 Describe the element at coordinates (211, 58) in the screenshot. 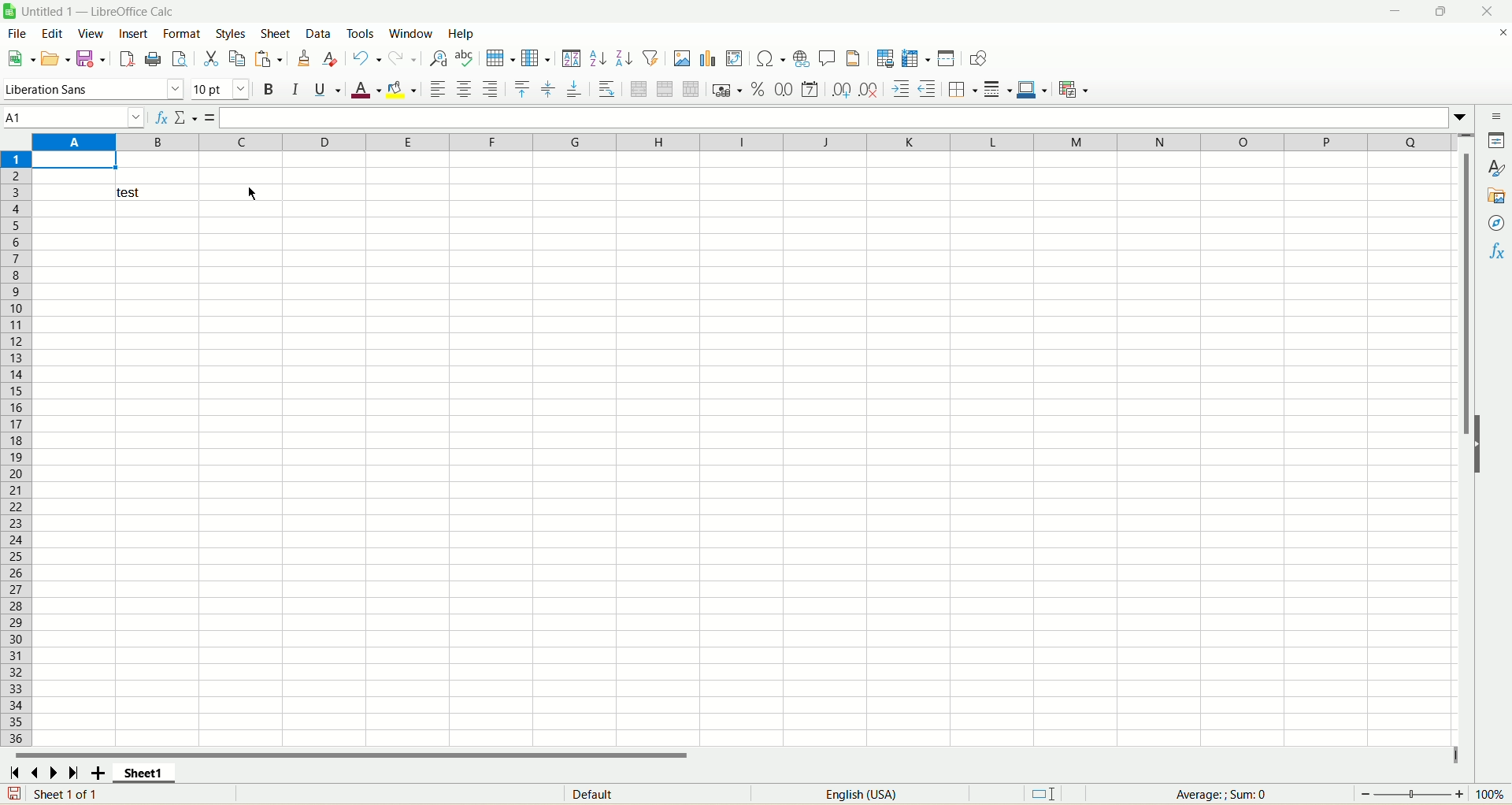

I see `cut` at that location.